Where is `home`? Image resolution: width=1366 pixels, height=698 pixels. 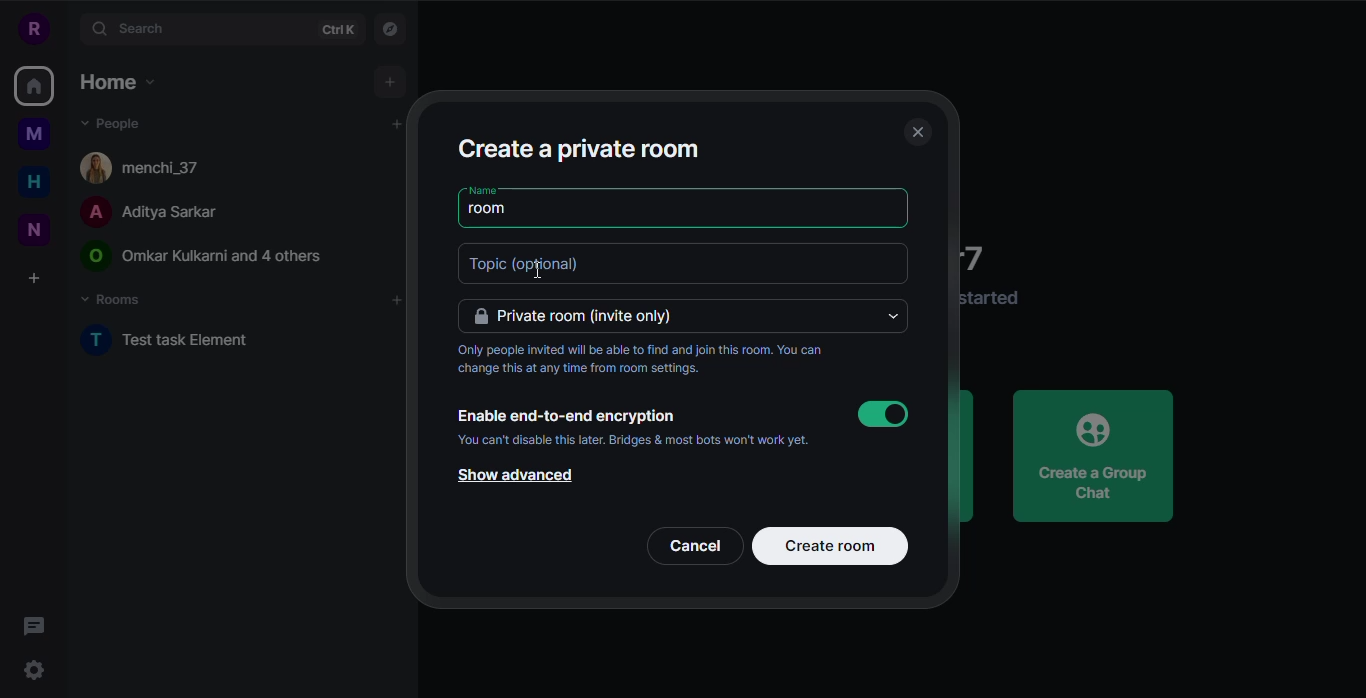
home is located at coordinates (115, 81).